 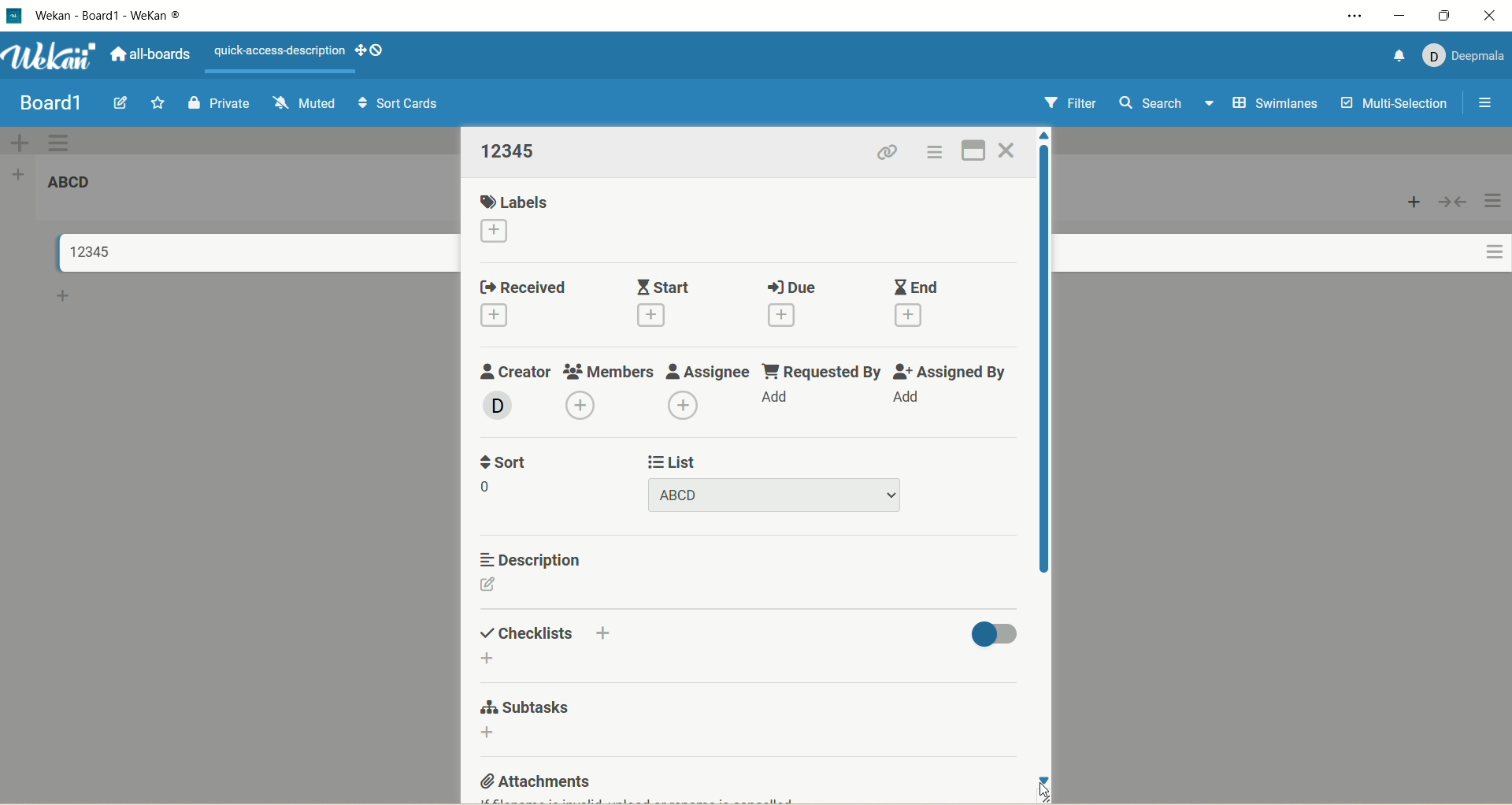 I want to click on add, so click(x=684, y=406).